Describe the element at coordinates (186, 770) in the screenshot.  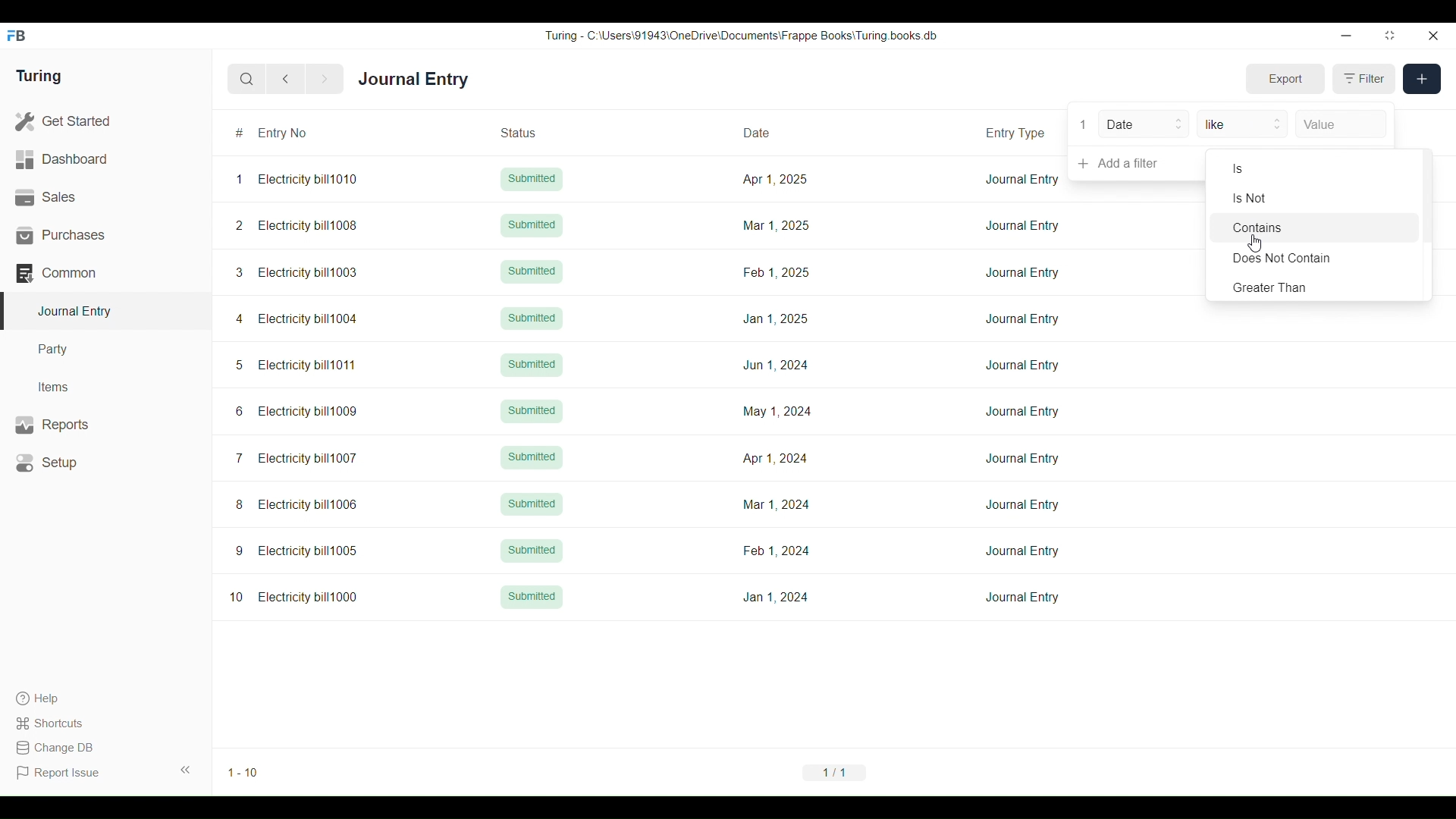
I see `Collapse sidebar` at that location.